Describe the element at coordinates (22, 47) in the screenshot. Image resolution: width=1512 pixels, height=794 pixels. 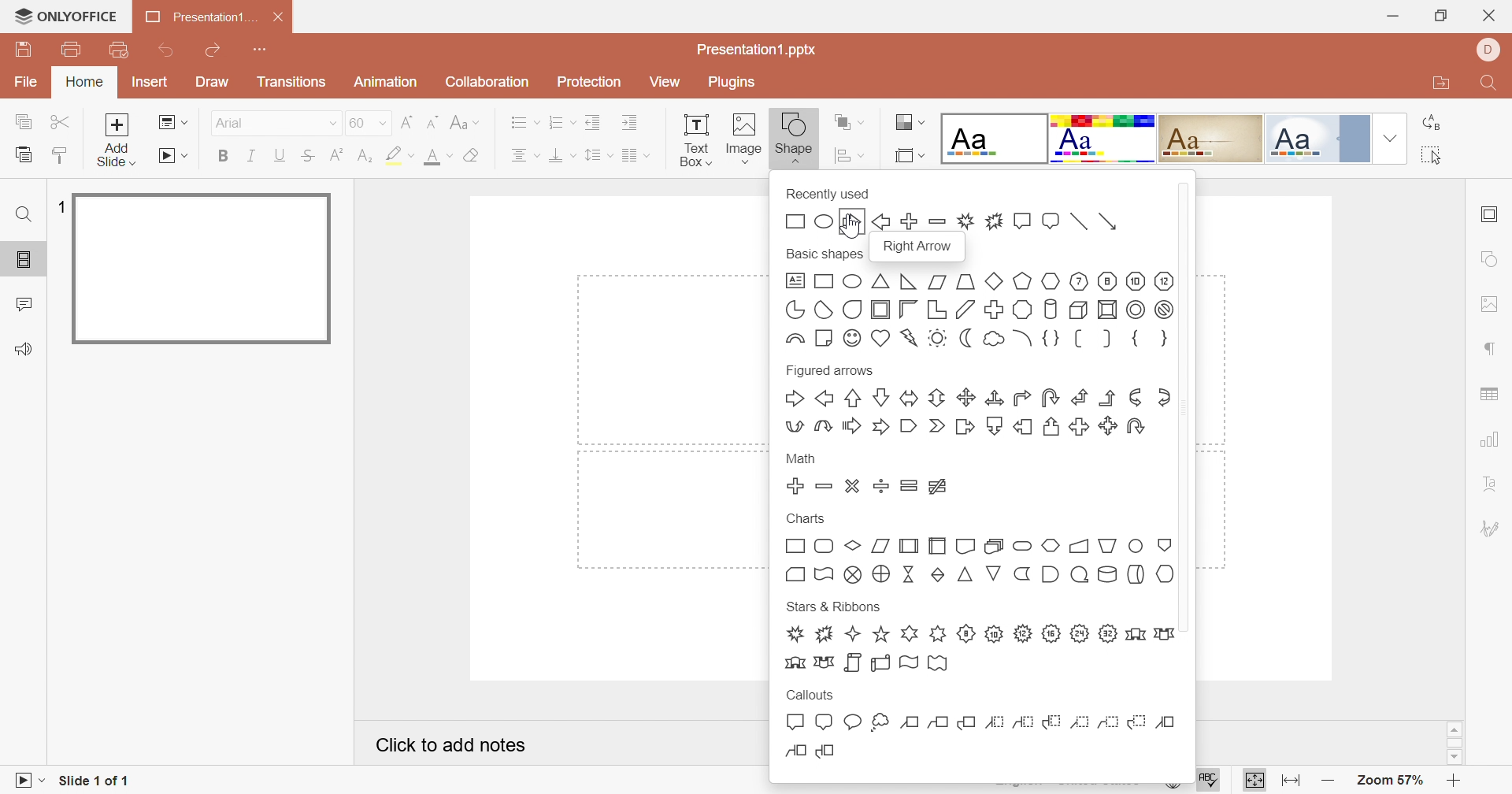
I see `Save` at that location.